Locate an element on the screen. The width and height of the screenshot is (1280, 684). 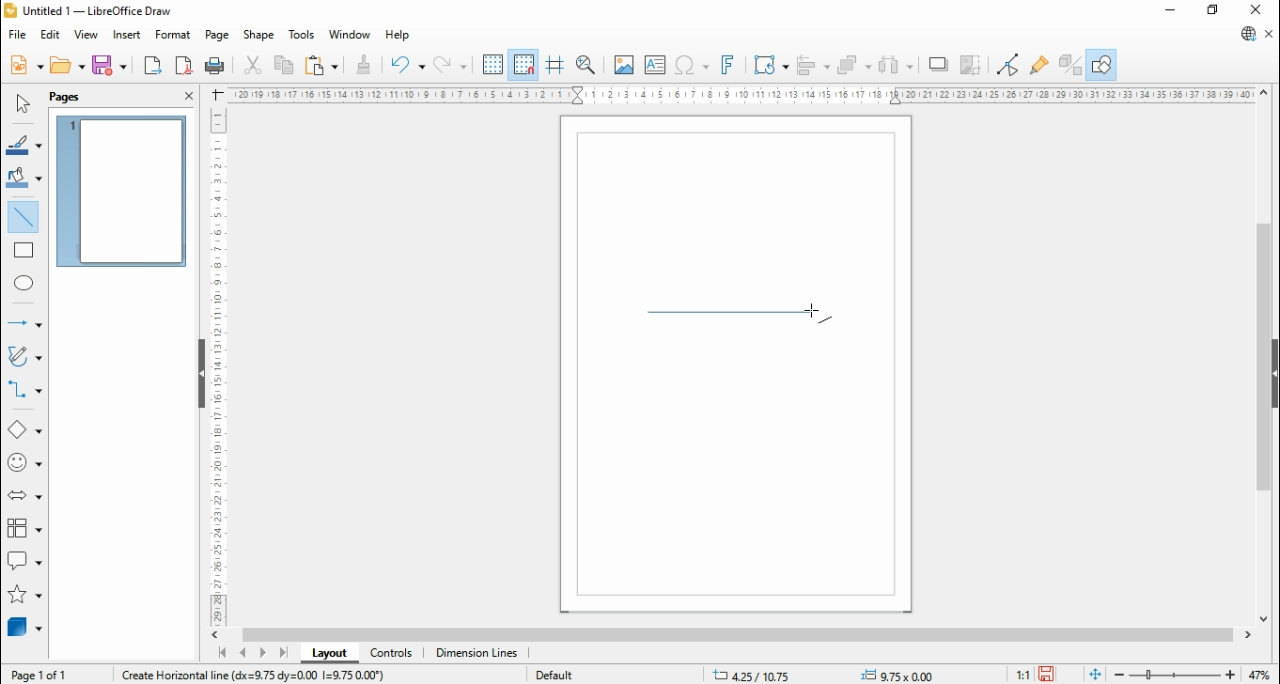
page is located at coordinates (65, 98).